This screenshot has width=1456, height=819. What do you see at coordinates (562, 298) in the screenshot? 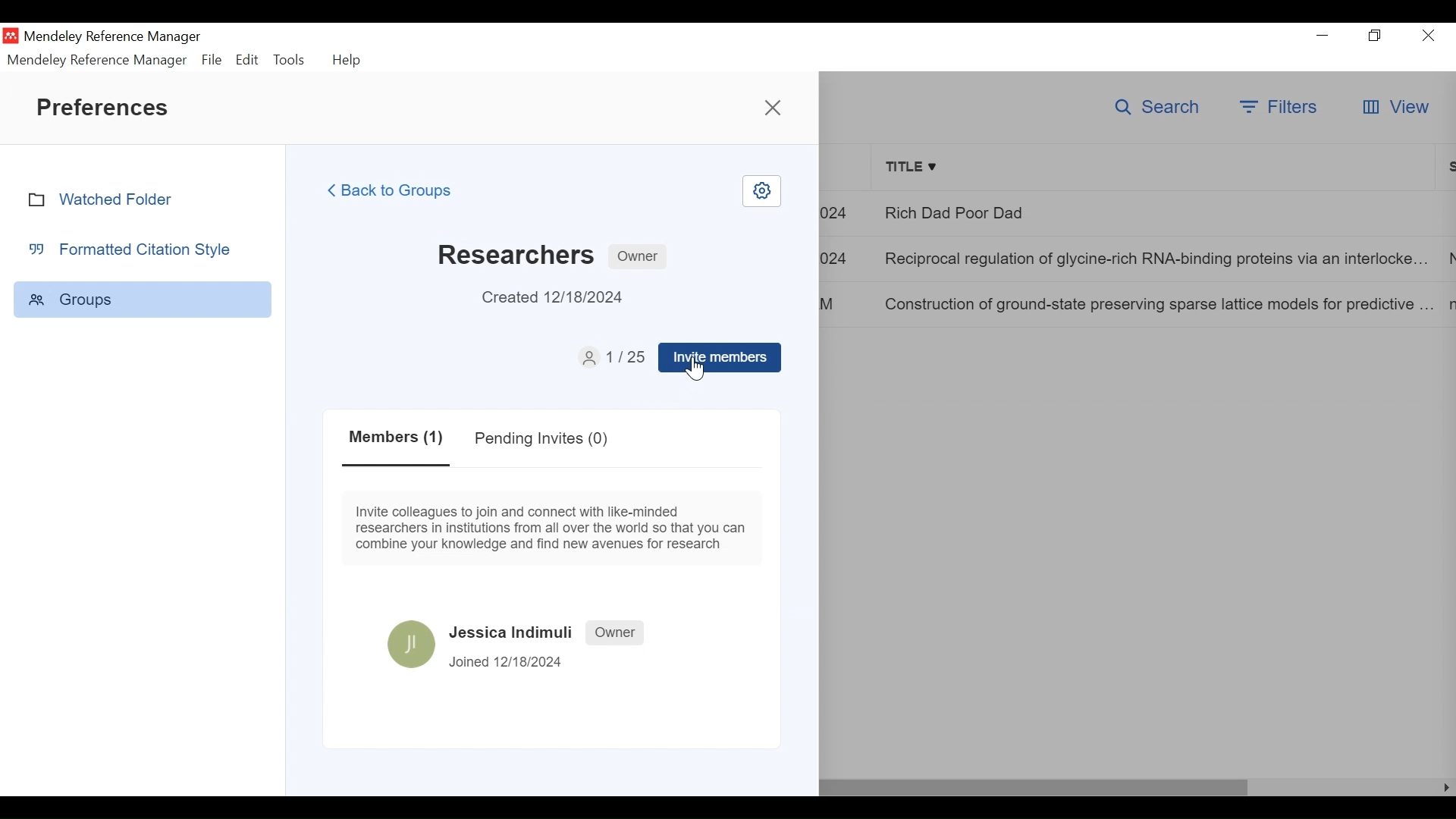
I see `Created 12/18/2024` at bounding box center [562, 298].